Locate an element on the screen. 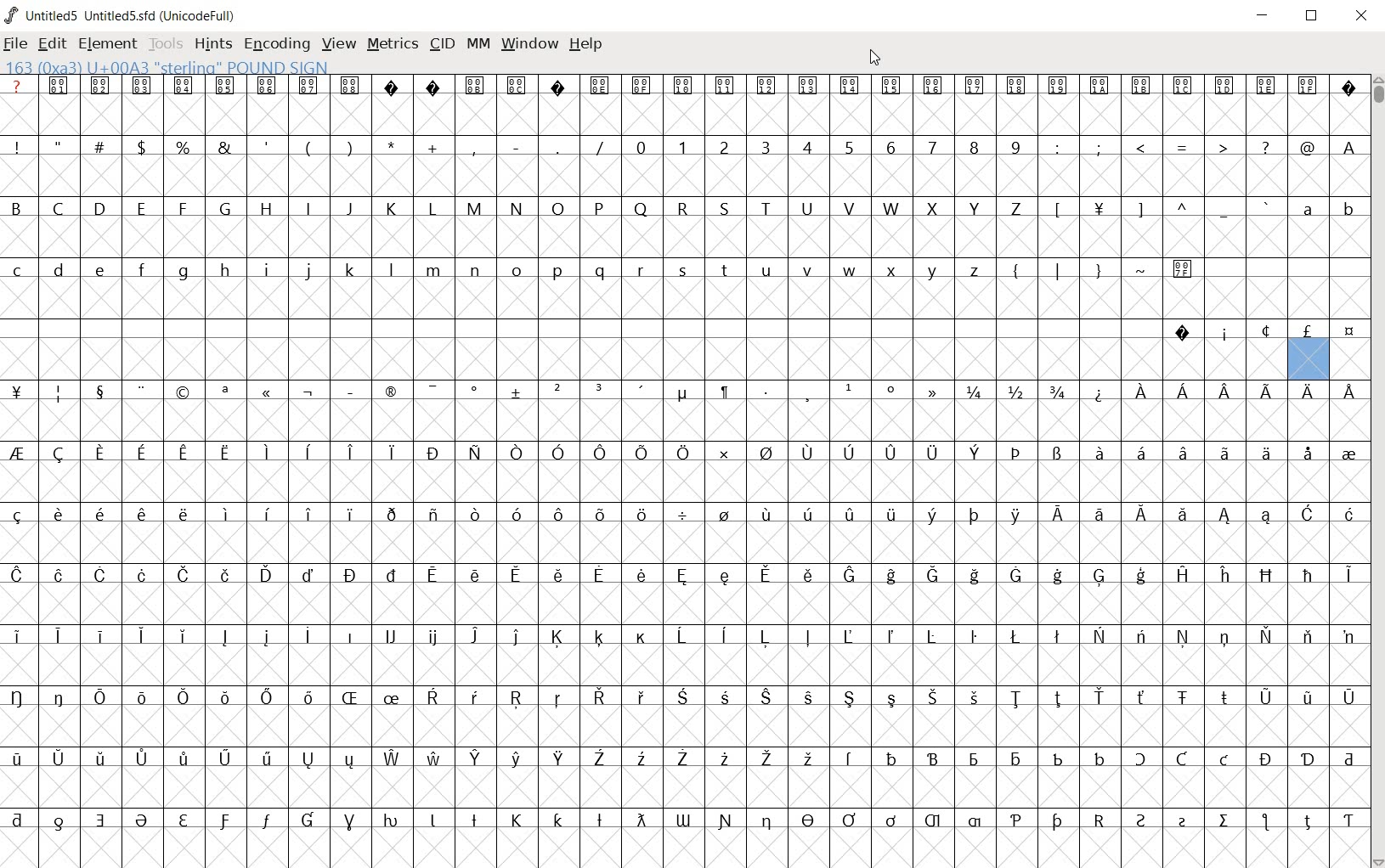 Image resolution: width=1385 pixels, height=868 pixels. , is located at coordinates (474, 149).